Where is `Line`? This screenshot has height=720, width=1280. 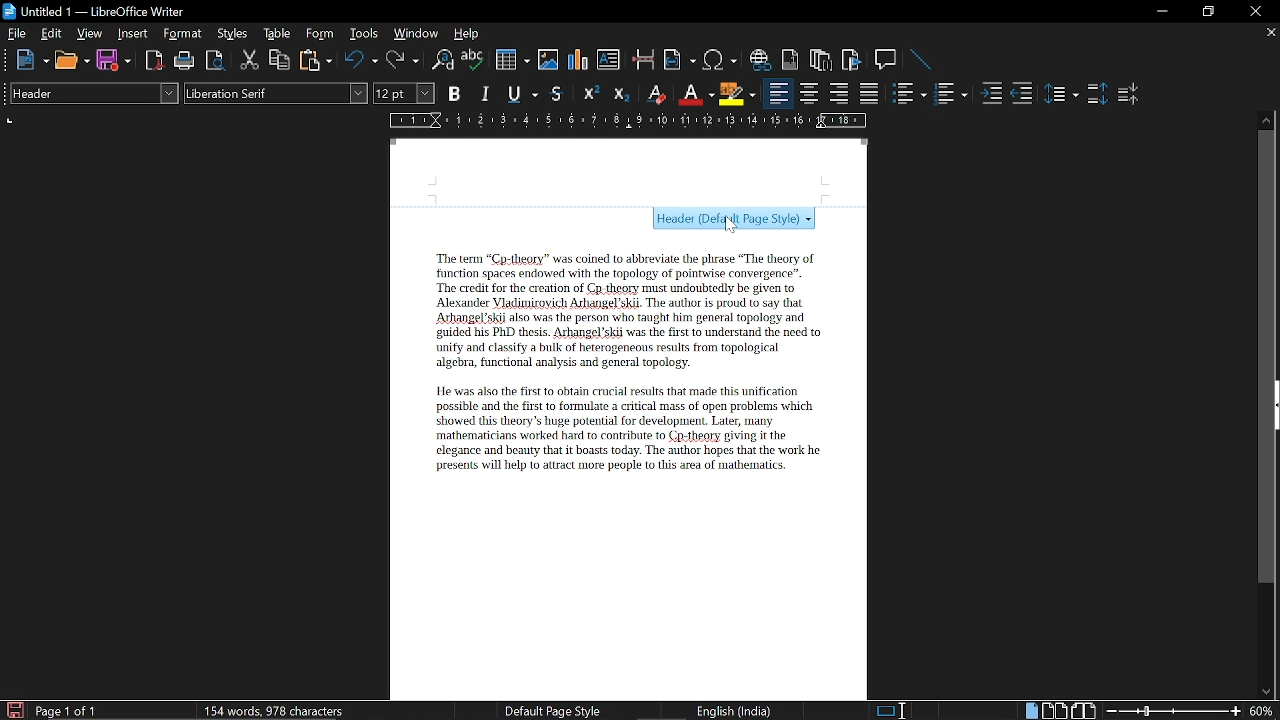
Line is located at coordinates (922, 61).